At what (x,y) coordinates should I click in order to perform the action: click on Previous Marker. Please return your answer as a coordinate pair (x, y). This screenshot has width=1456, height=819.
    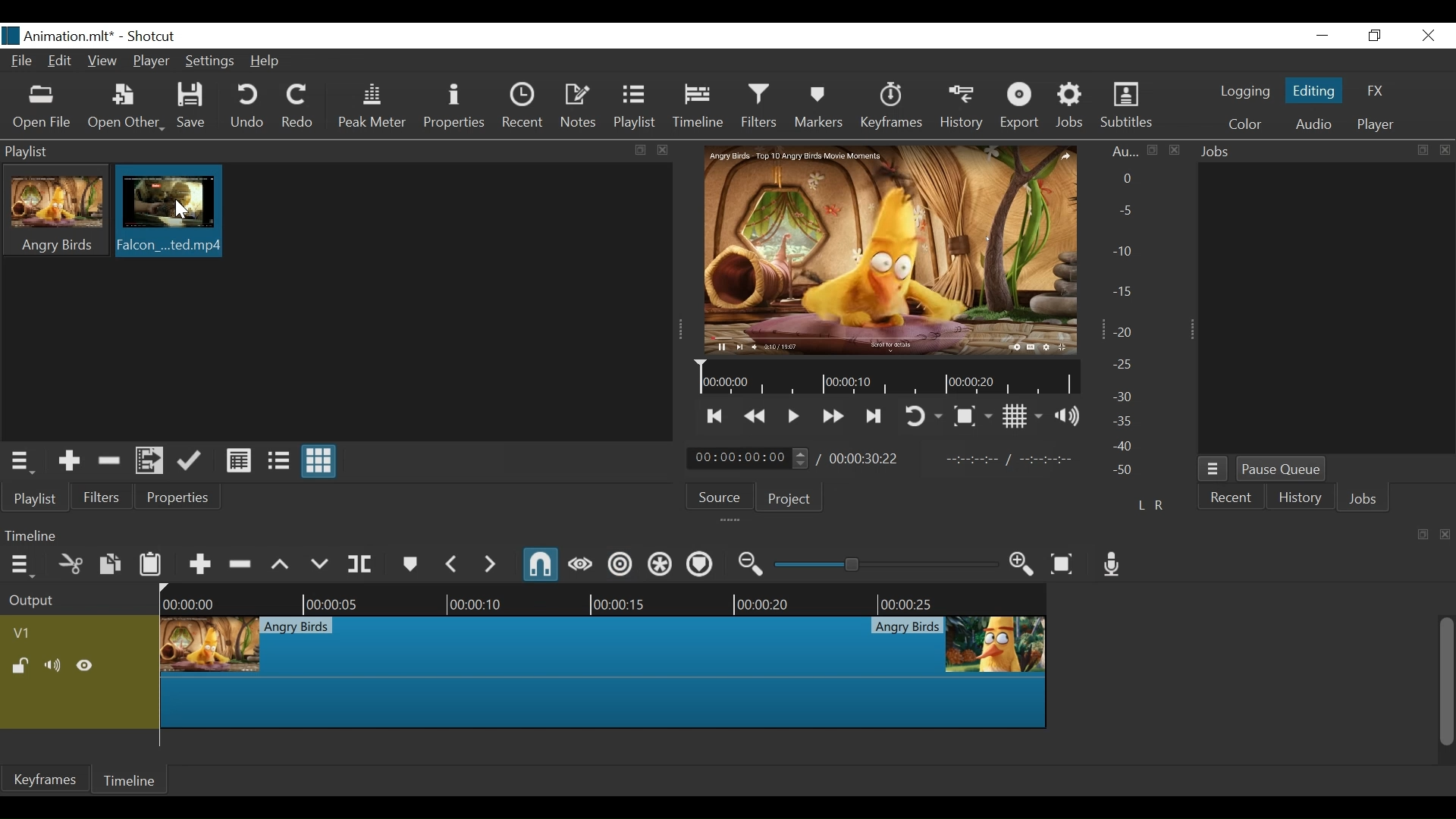
    Looking at the image, I should click on (451, 563).